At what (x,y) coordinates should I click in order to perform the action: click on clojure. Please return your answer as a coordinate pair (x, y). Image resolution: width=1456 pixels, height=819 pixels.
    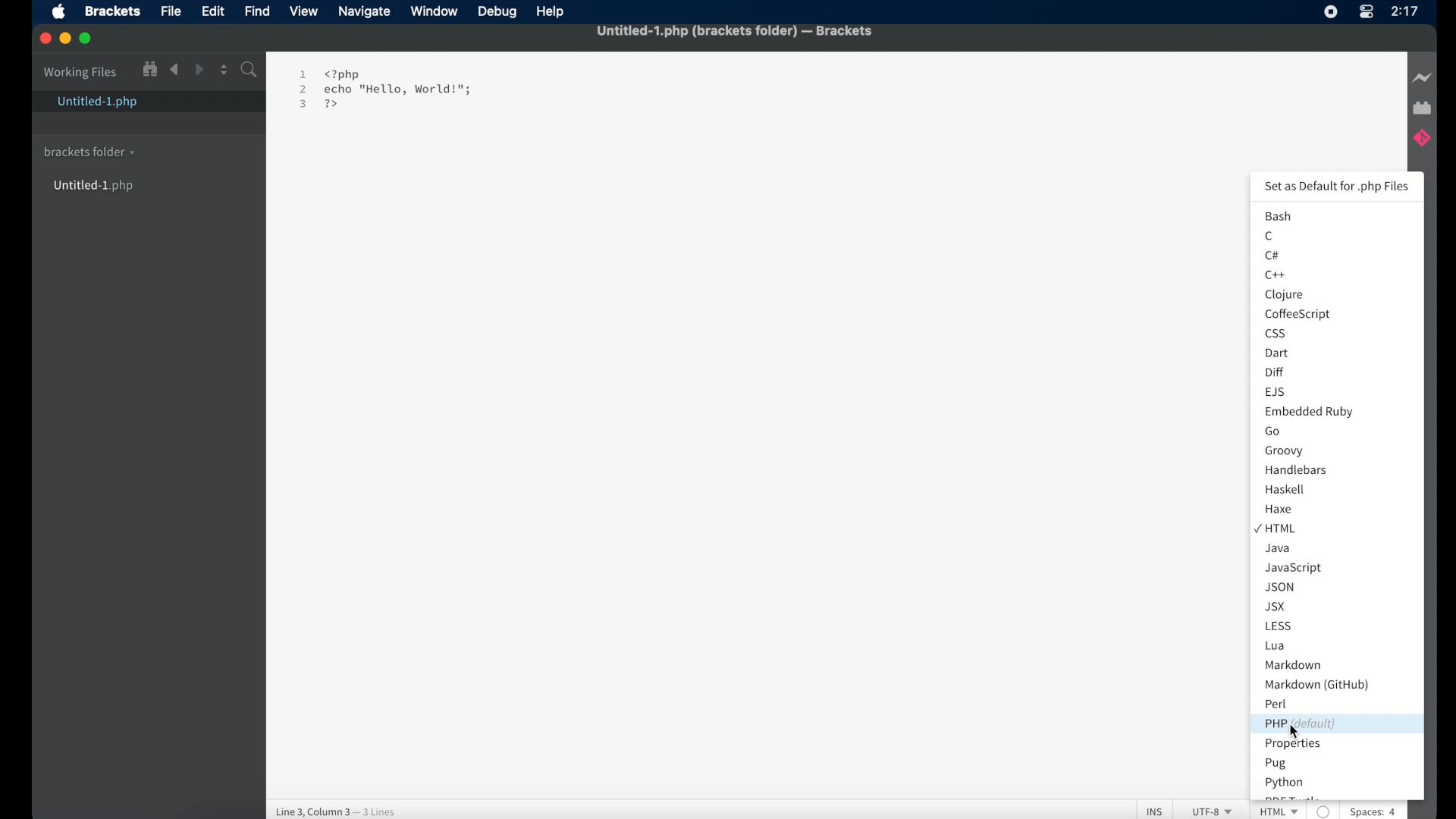
    Looking at the image, I should click on (1283, 294).